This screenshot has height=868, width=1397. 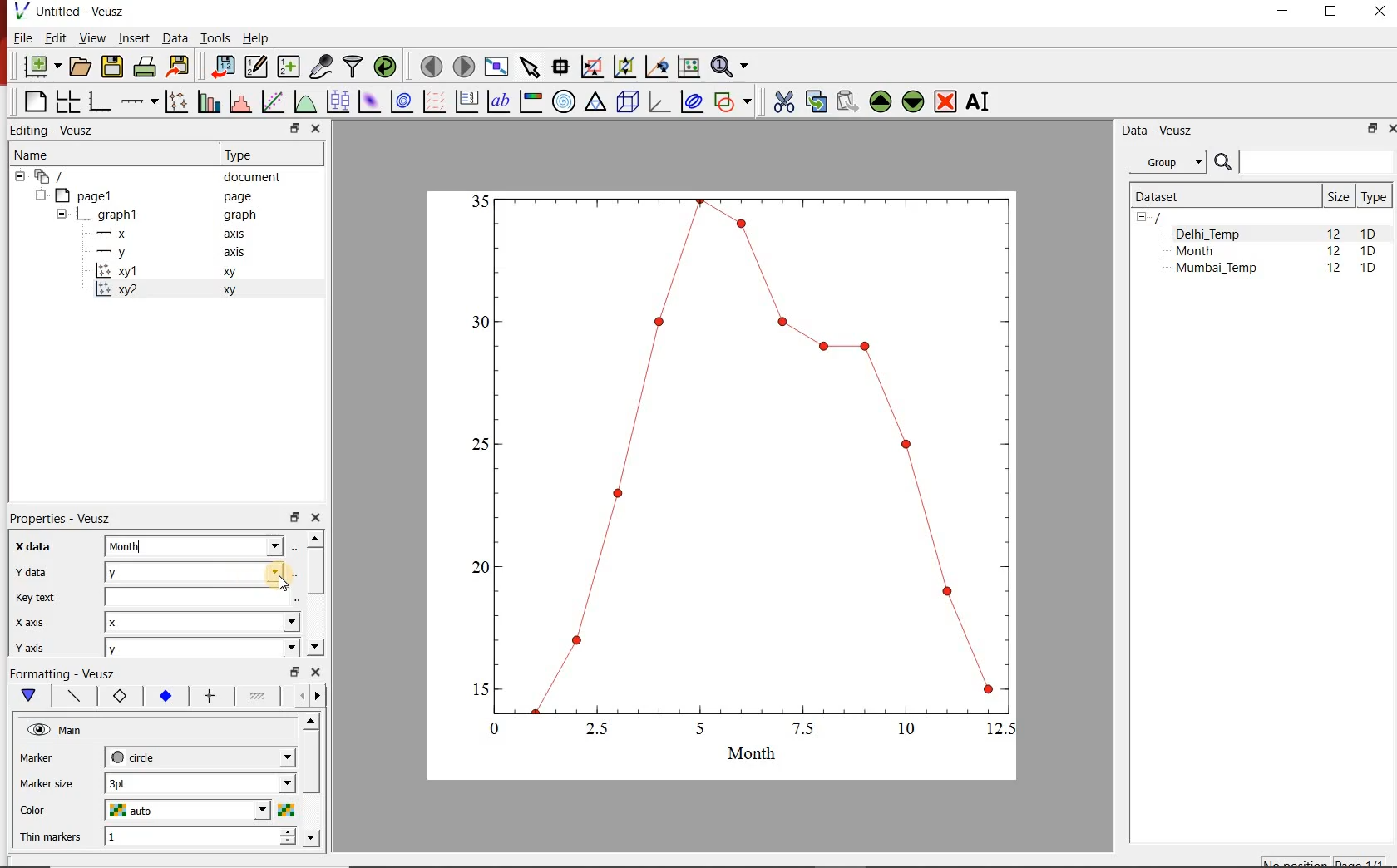 I want to click on close, so click(x=314, y=518).